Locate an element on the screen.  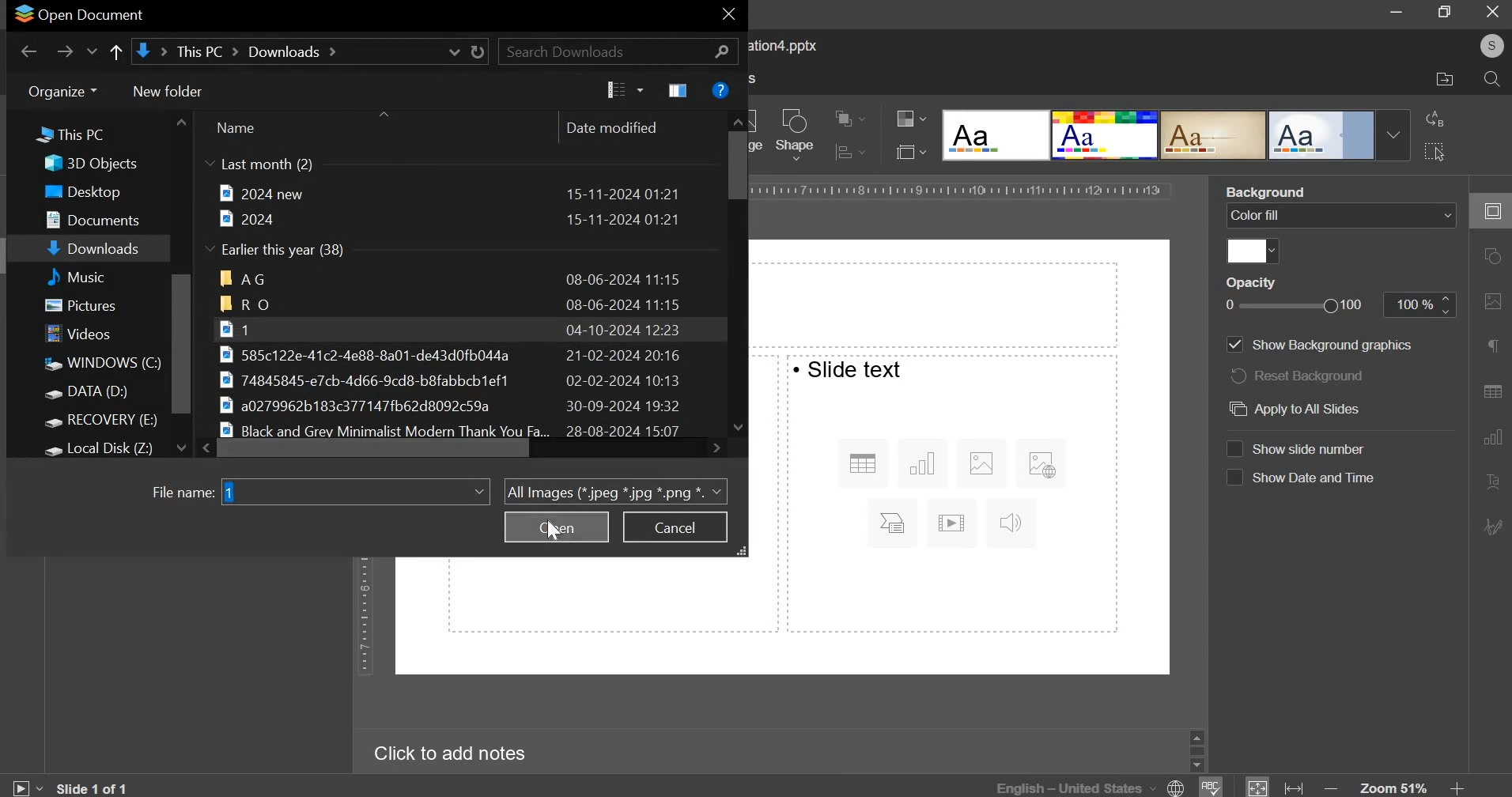
design is located at coordinates (997, 136).